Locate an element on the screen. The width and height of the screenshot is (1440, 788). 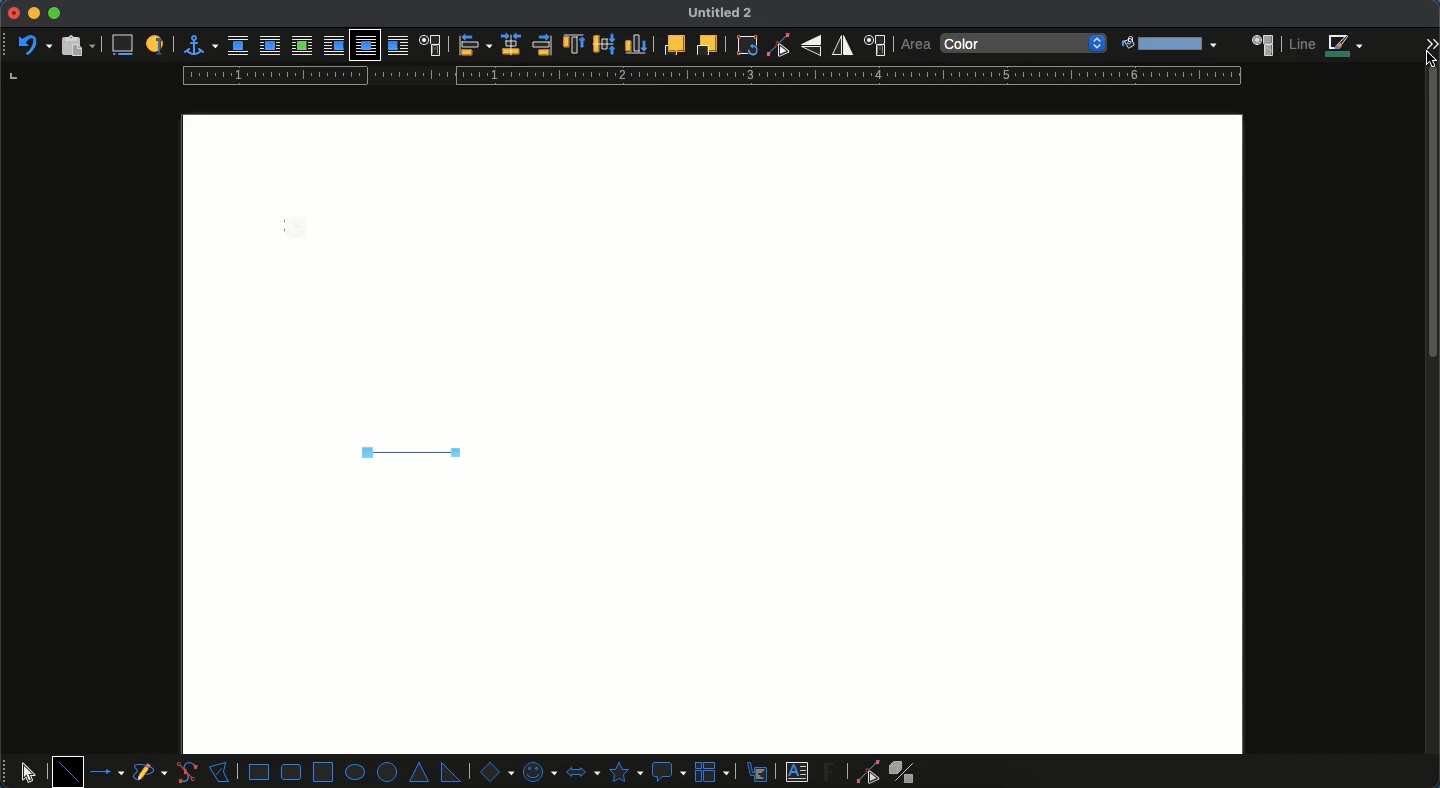
maximize is located at coordinates (54, 14).